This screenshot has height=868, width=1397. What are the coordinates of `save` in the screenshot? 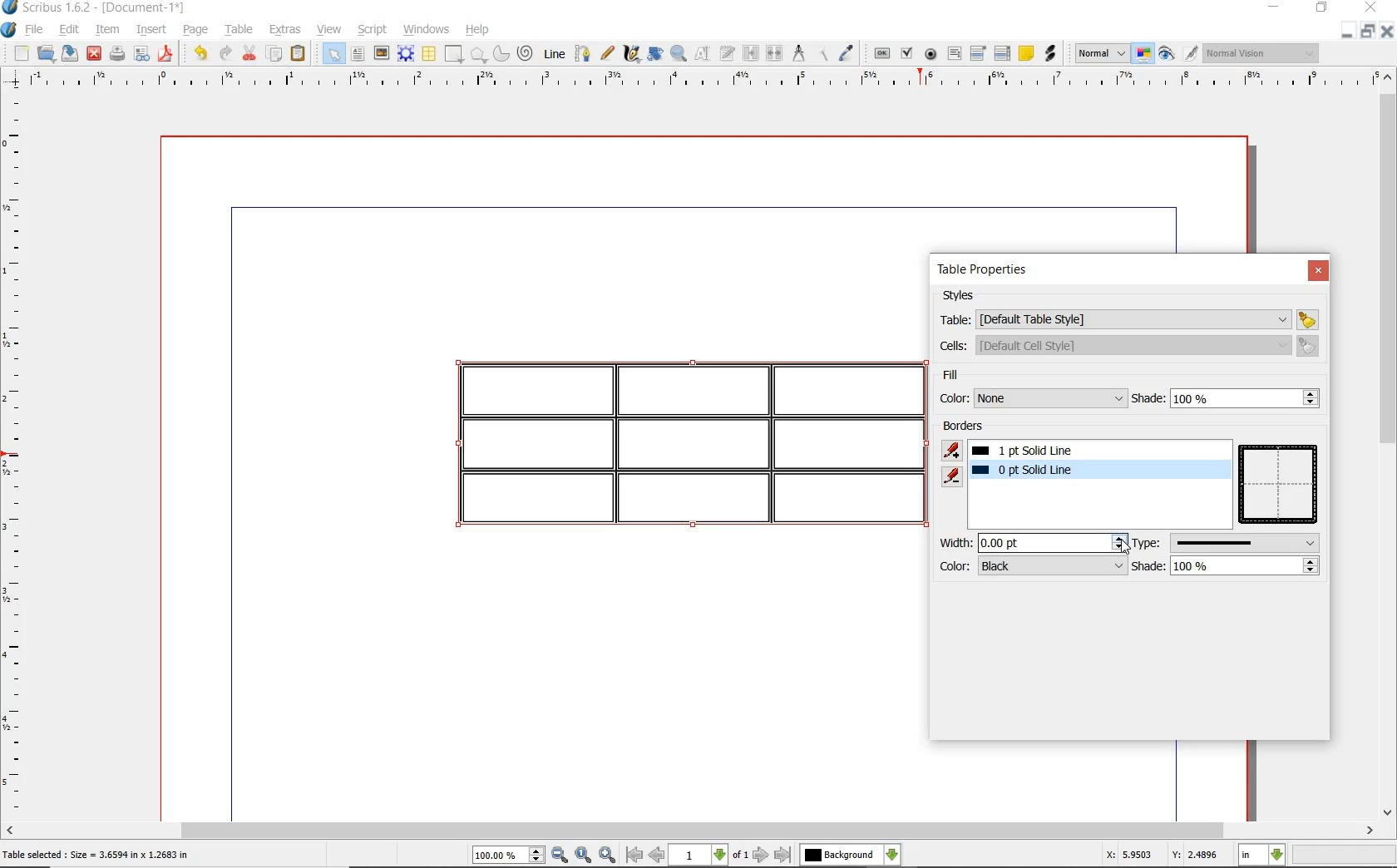 It's located at (69, 53).